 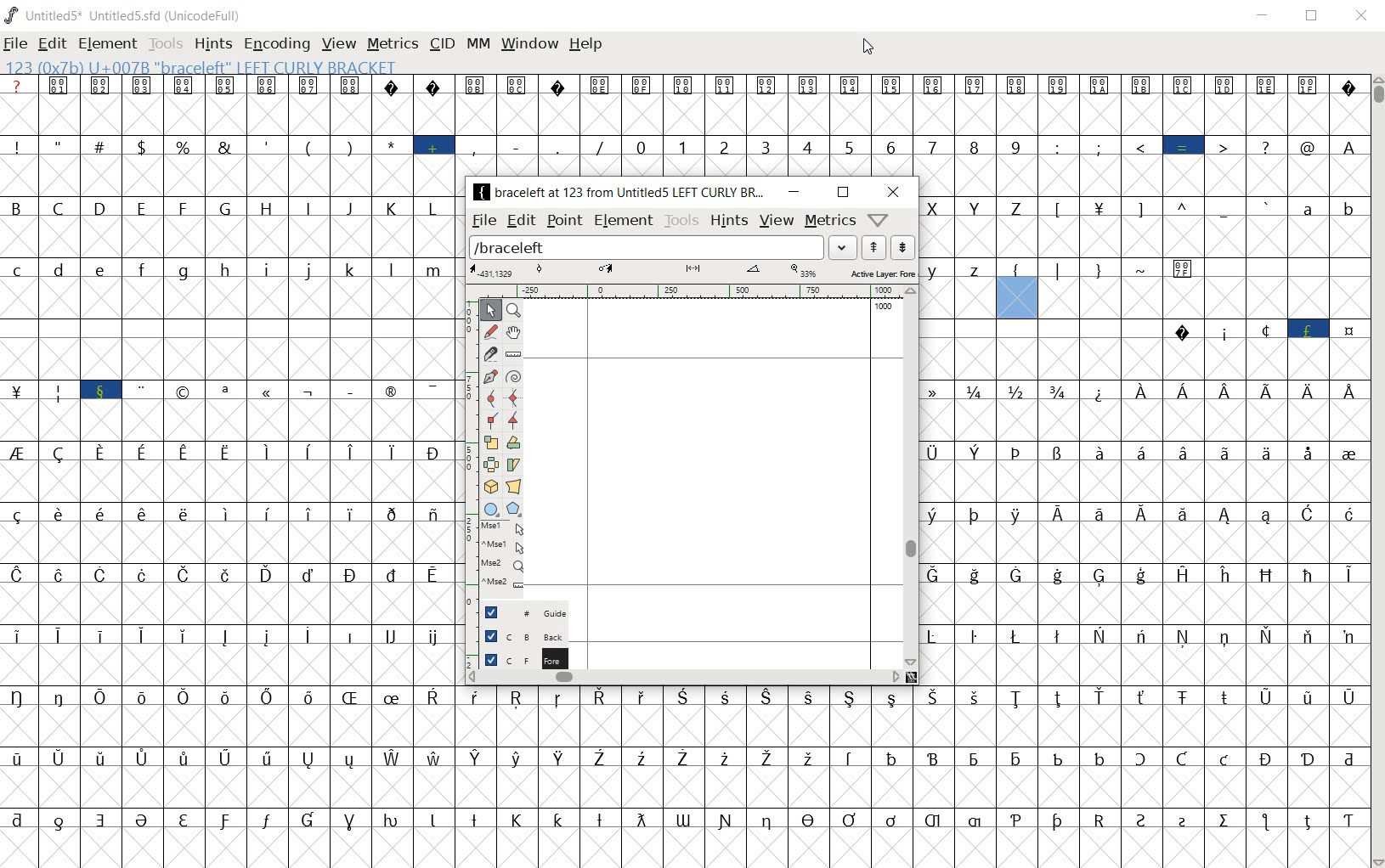 What do you see at coordinates (911, 777) in the screenshot?
I see `glyph characters` at bounding box center [911, 777].